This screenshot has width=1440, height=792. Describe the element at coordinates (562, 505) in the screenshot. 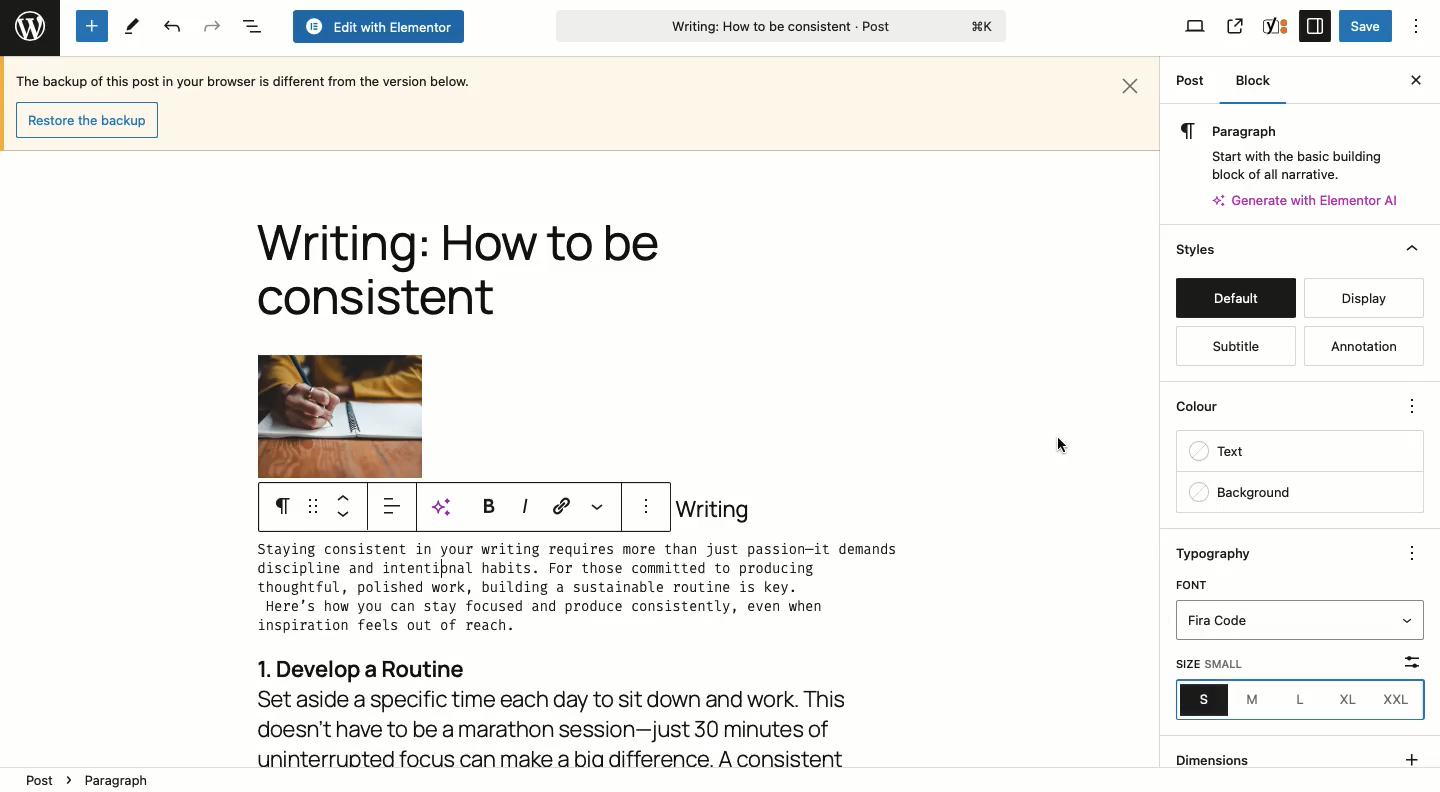

I see `Link` at that location.